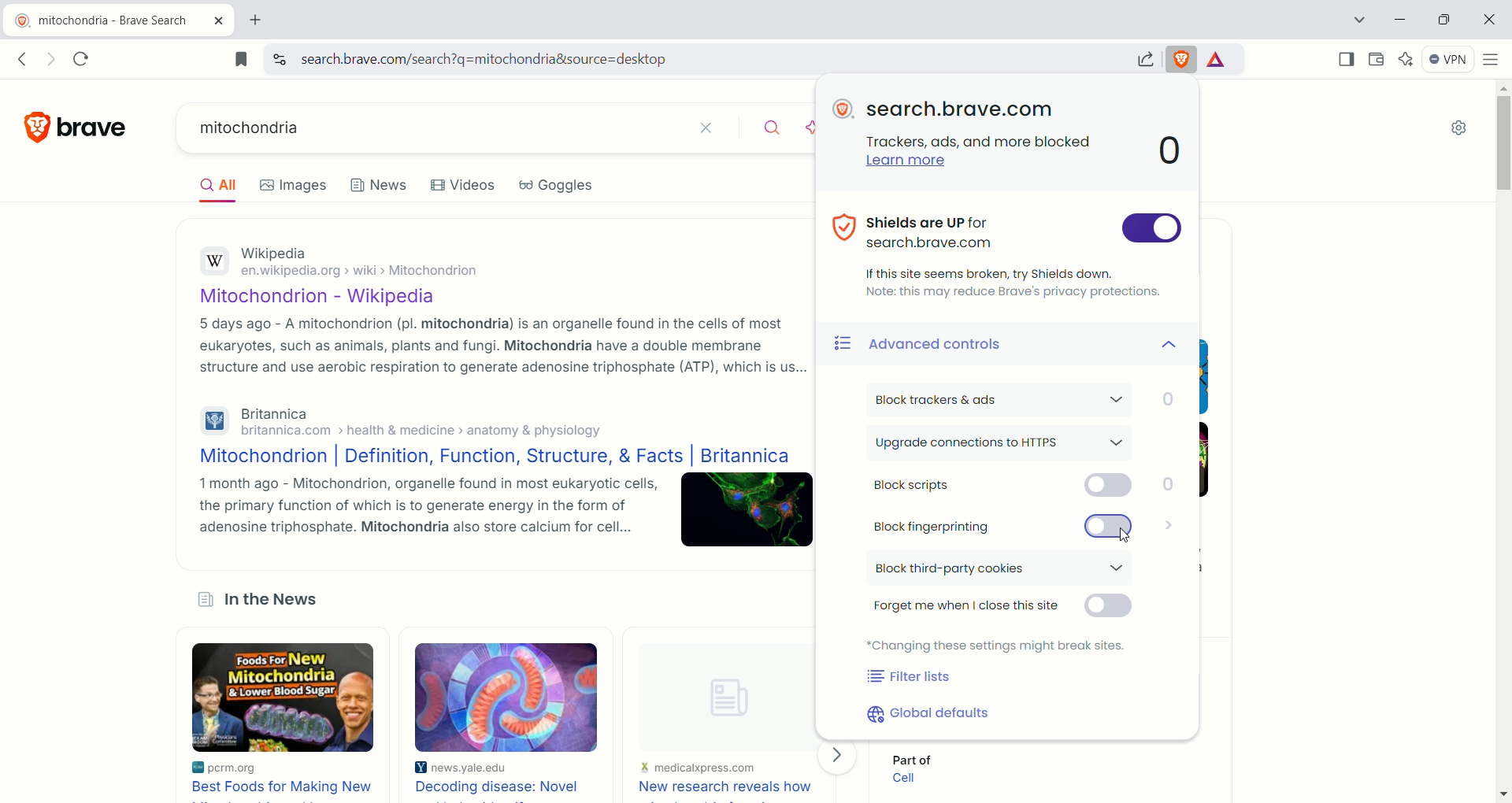 The image size is (1512, 803). What do you see at coordinates (699, 768) in the screenshot?
I see `medicalxpress.com` at bounding box center [699, 768].